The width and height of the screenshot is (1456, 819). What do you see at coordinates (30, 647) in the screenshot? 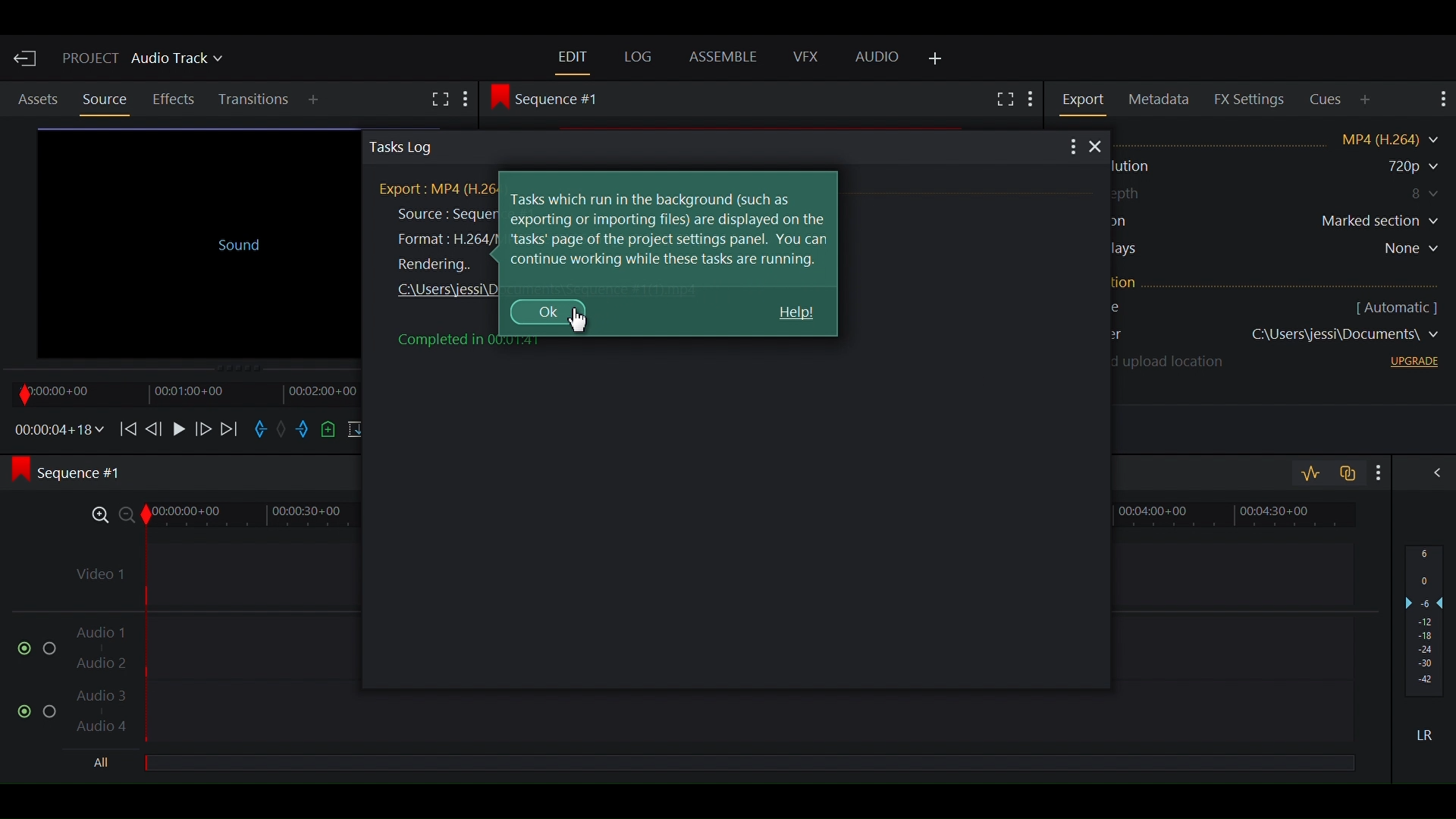
I see `Enable/Disable` at bounding box center [30, 647].